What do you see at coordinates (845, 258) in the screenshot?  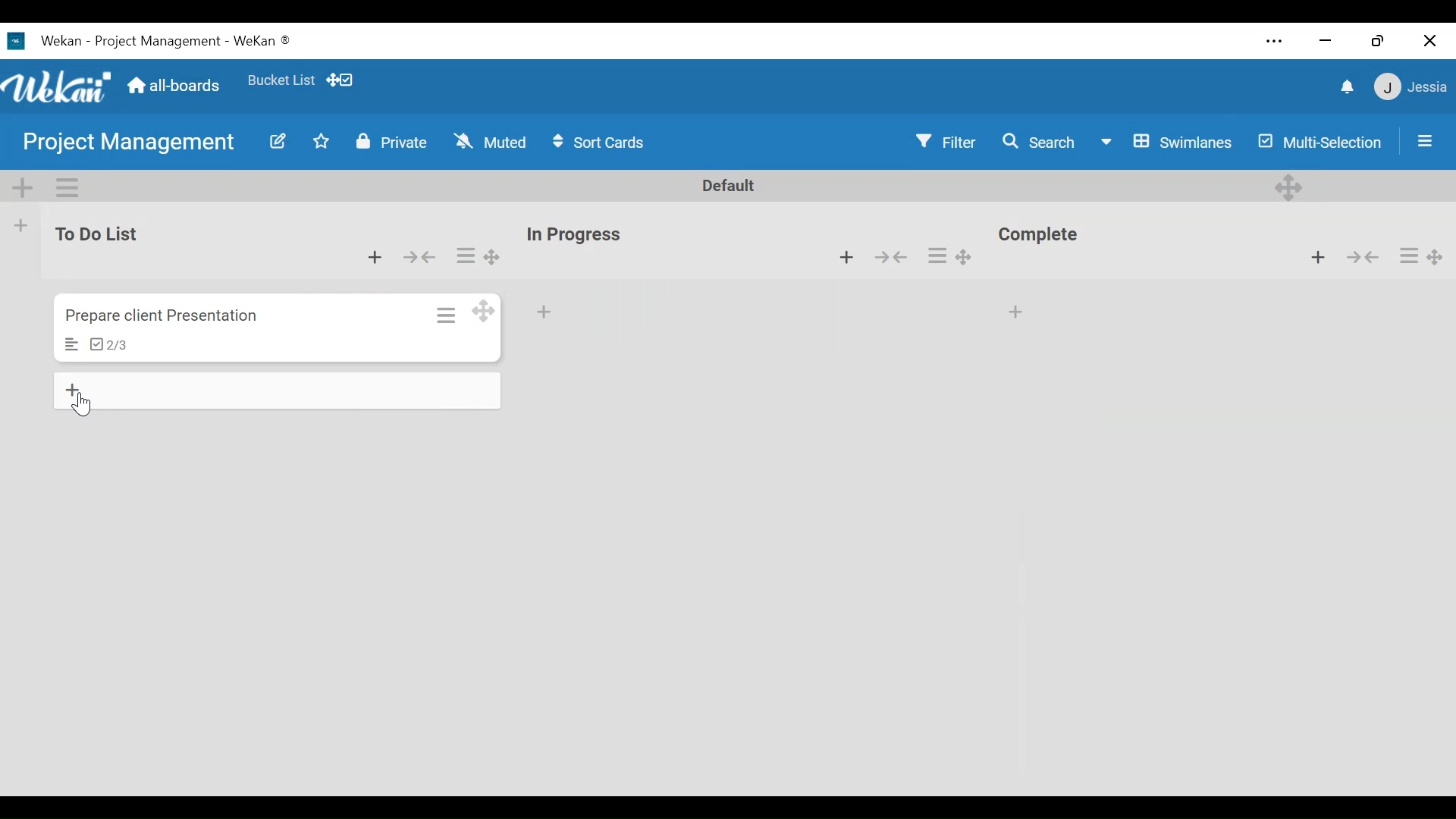 I see `Add card to top of the list` at bounding box center [845, 258].